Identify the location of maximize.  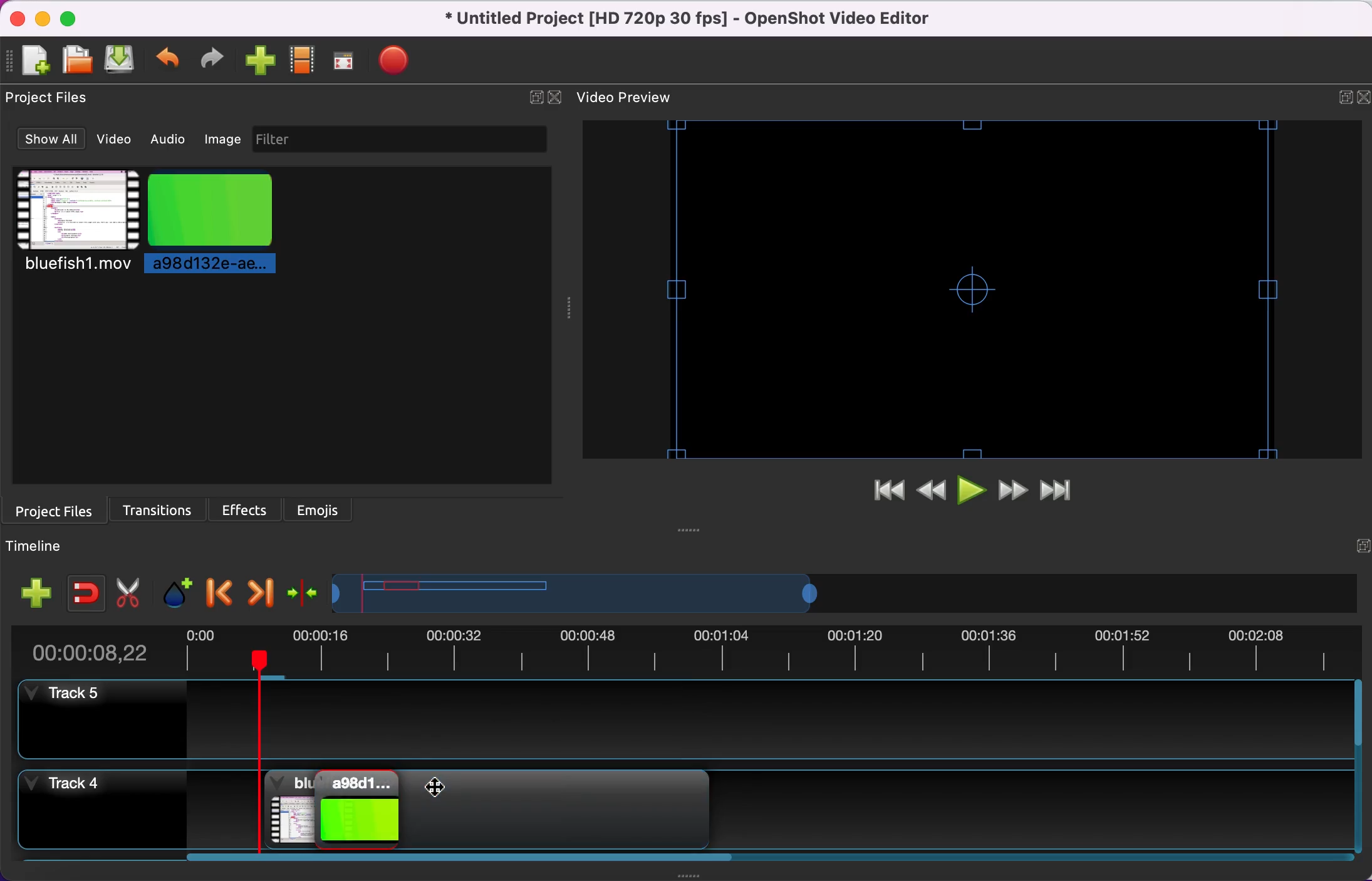
(74, 18).